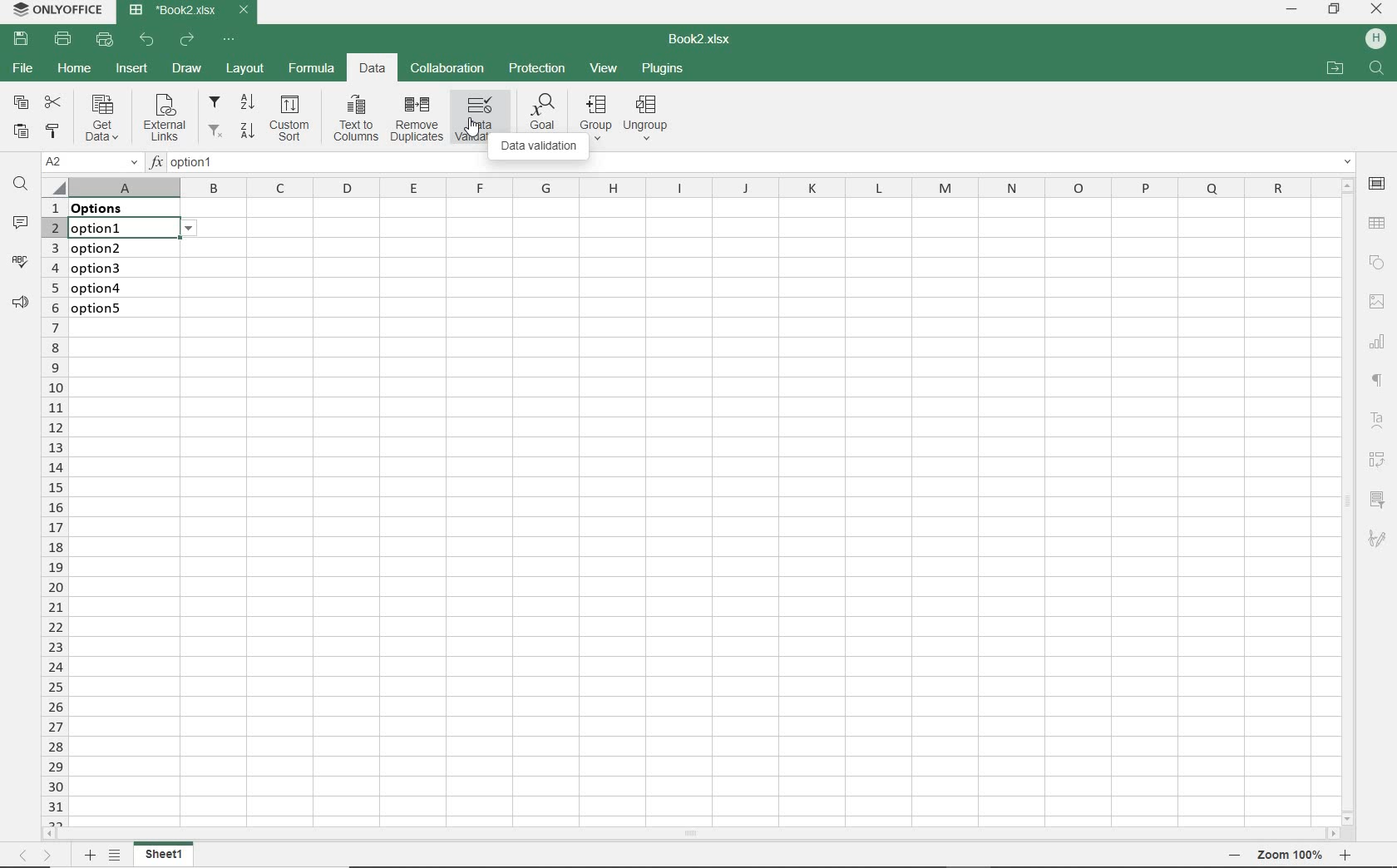 Image resolution: width=1397 pixels, height=868 pixels. I want to click on COPY, so click(19, 101).